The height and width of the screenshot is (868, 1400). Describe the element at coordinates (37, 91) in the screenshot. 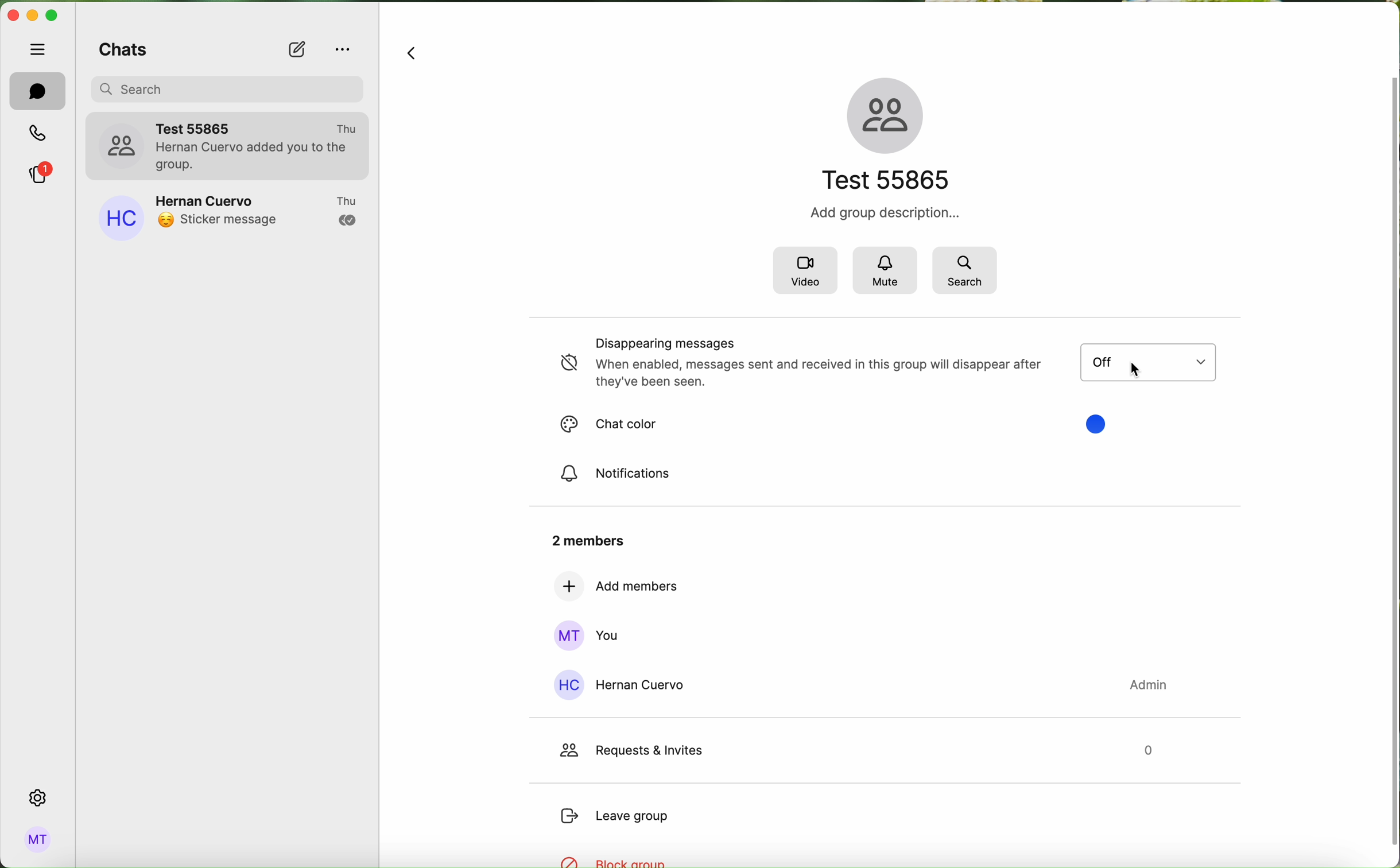

I see `chats` at that location.